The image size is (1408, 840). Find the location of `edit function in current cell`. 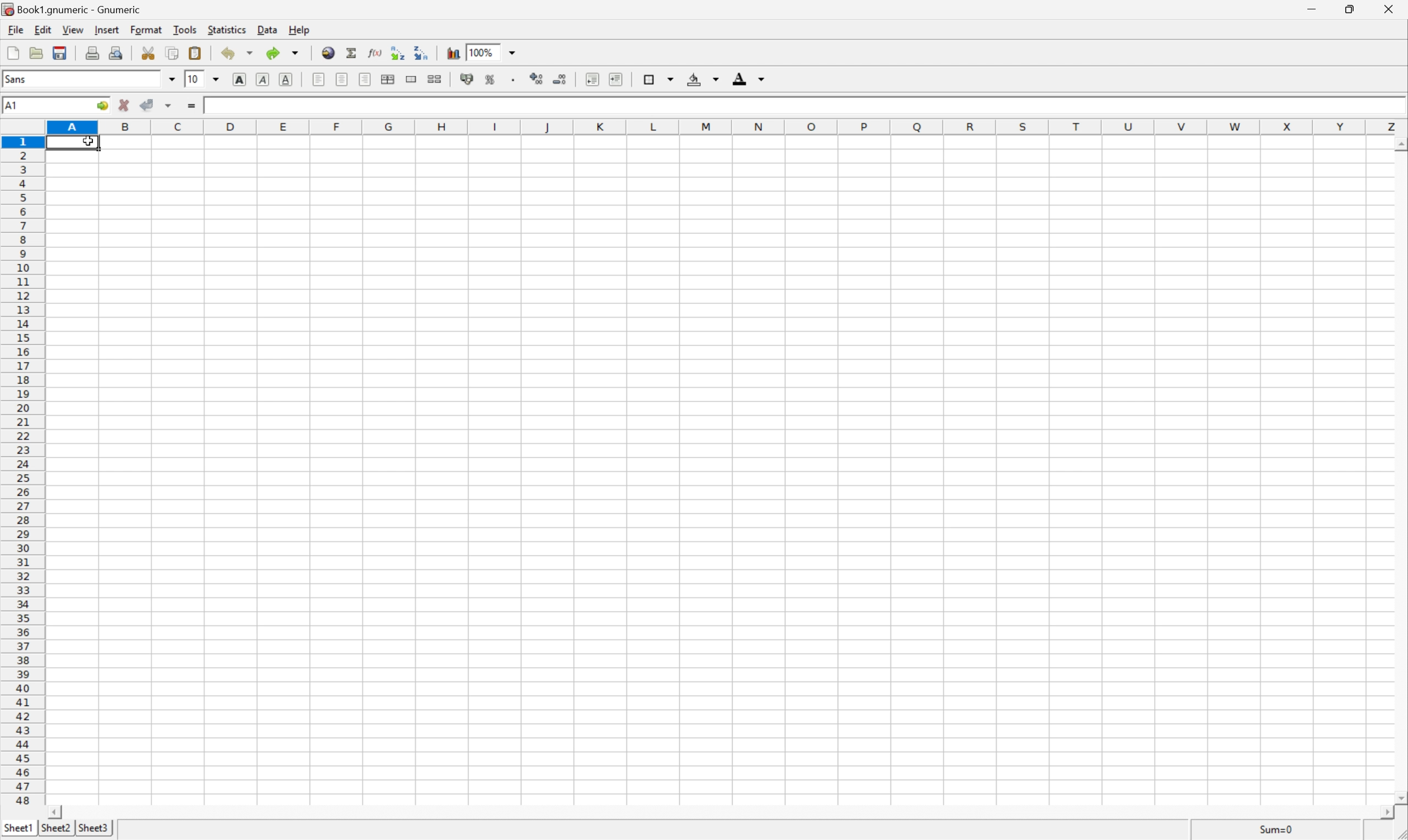

edit function in current cell is located at coordinates (375, 52).